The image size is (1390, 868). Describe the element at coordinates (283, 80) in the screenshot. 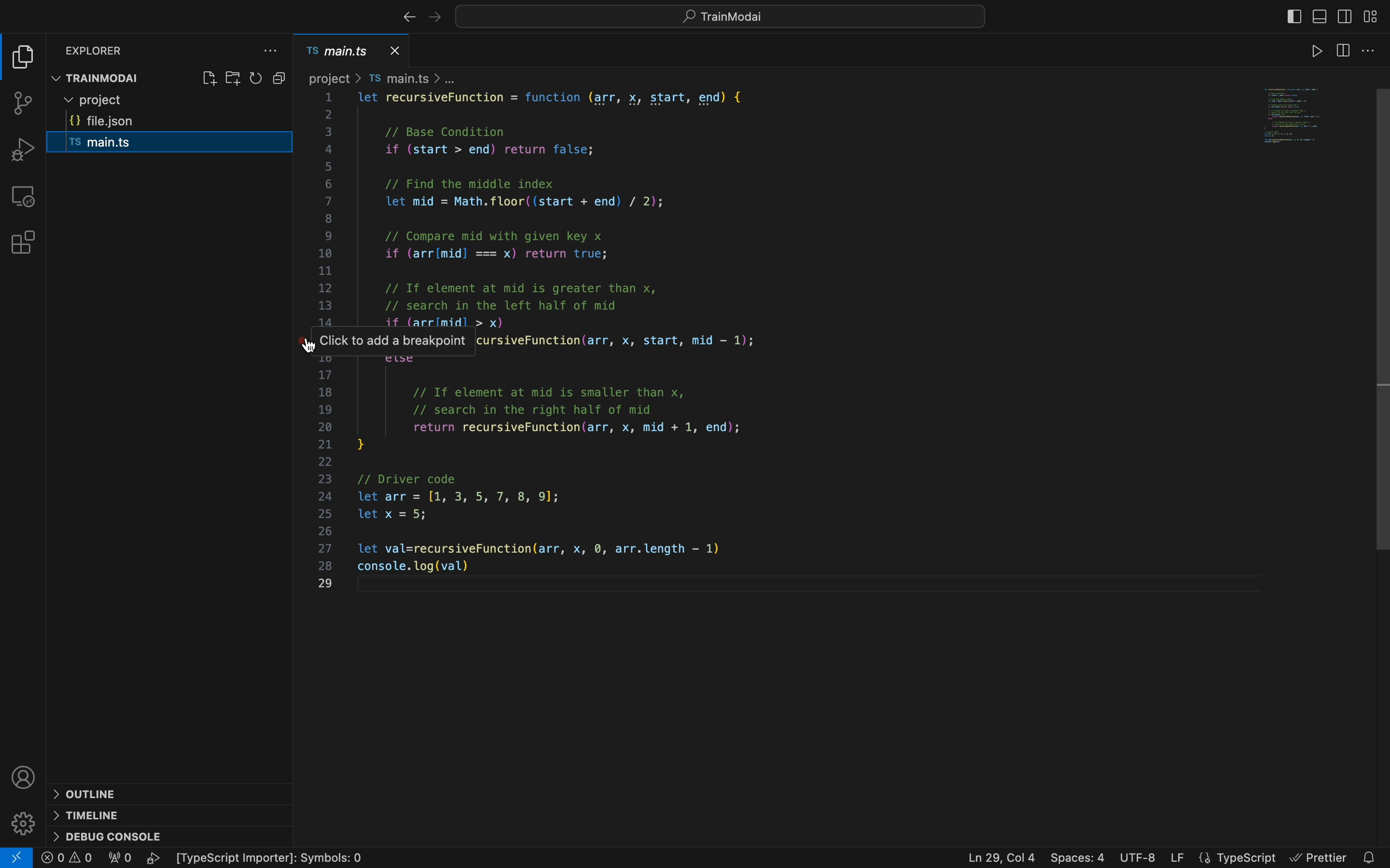

I see `copy` at that location.